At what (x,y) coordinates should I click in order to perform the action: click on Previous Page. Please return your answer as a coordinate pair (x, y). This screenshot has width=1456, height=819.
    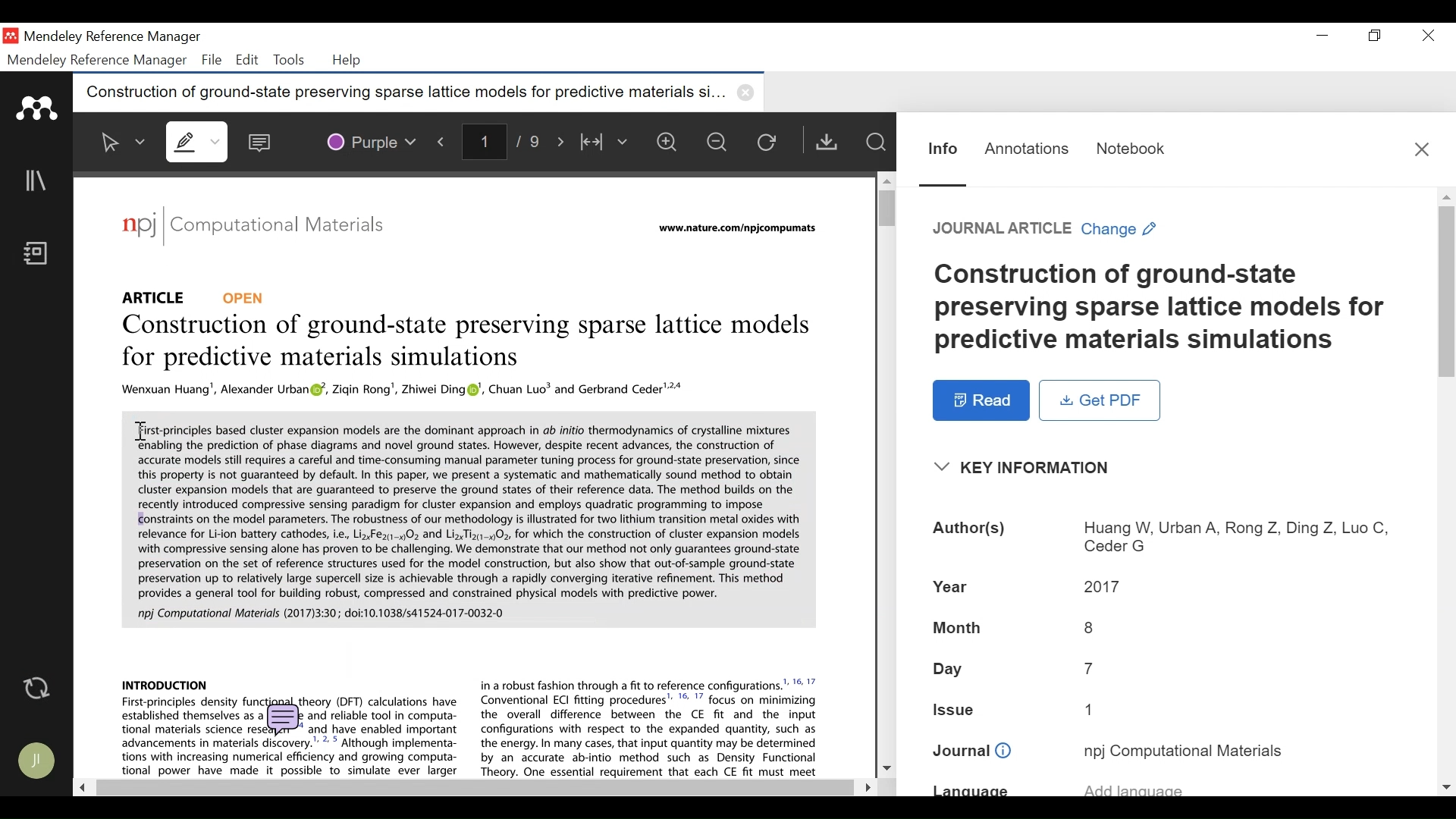
    Looking at the image, I should click on (444, 139).